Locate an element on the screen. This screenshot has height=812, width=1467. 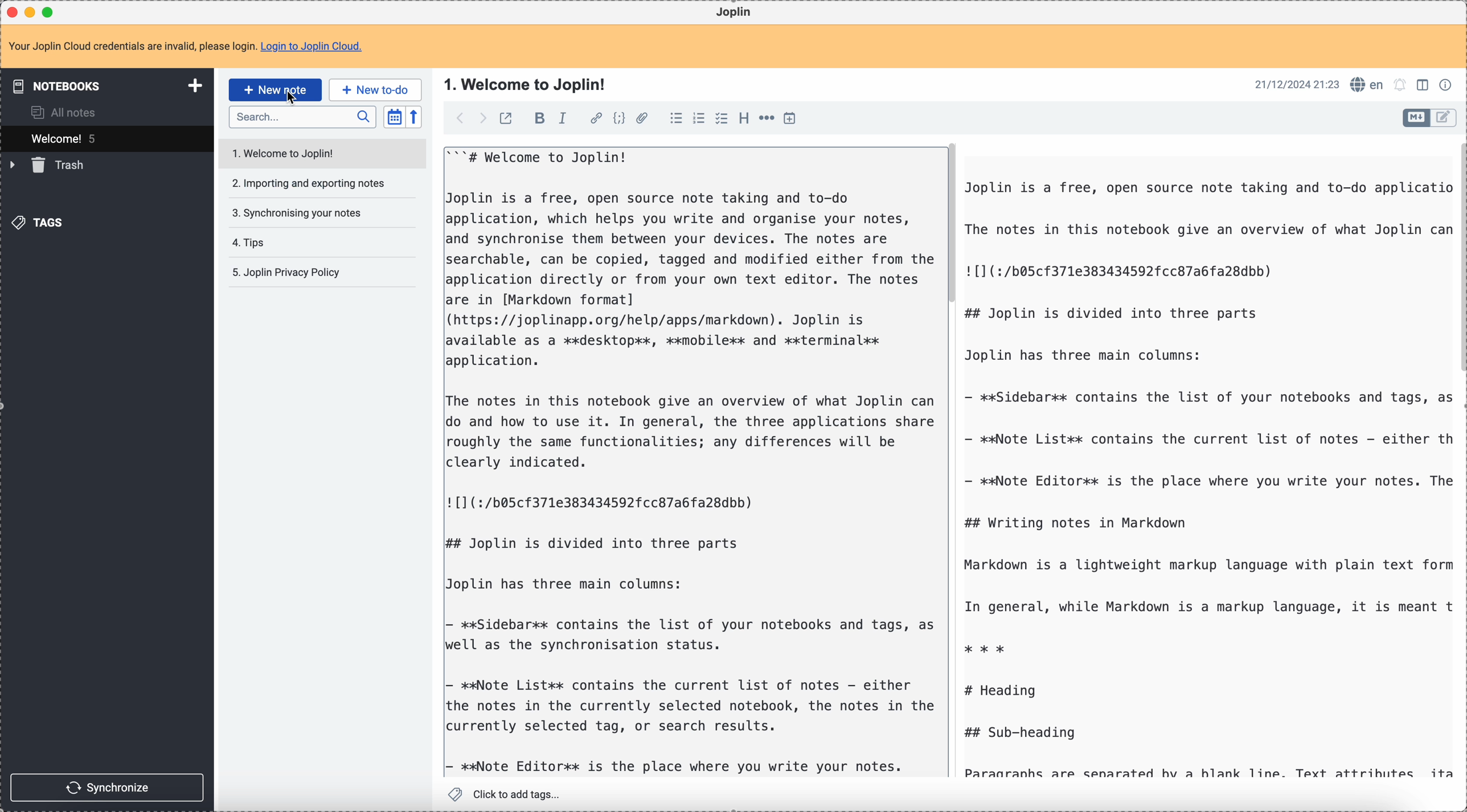
welcome is located at coordinates (106, 138).